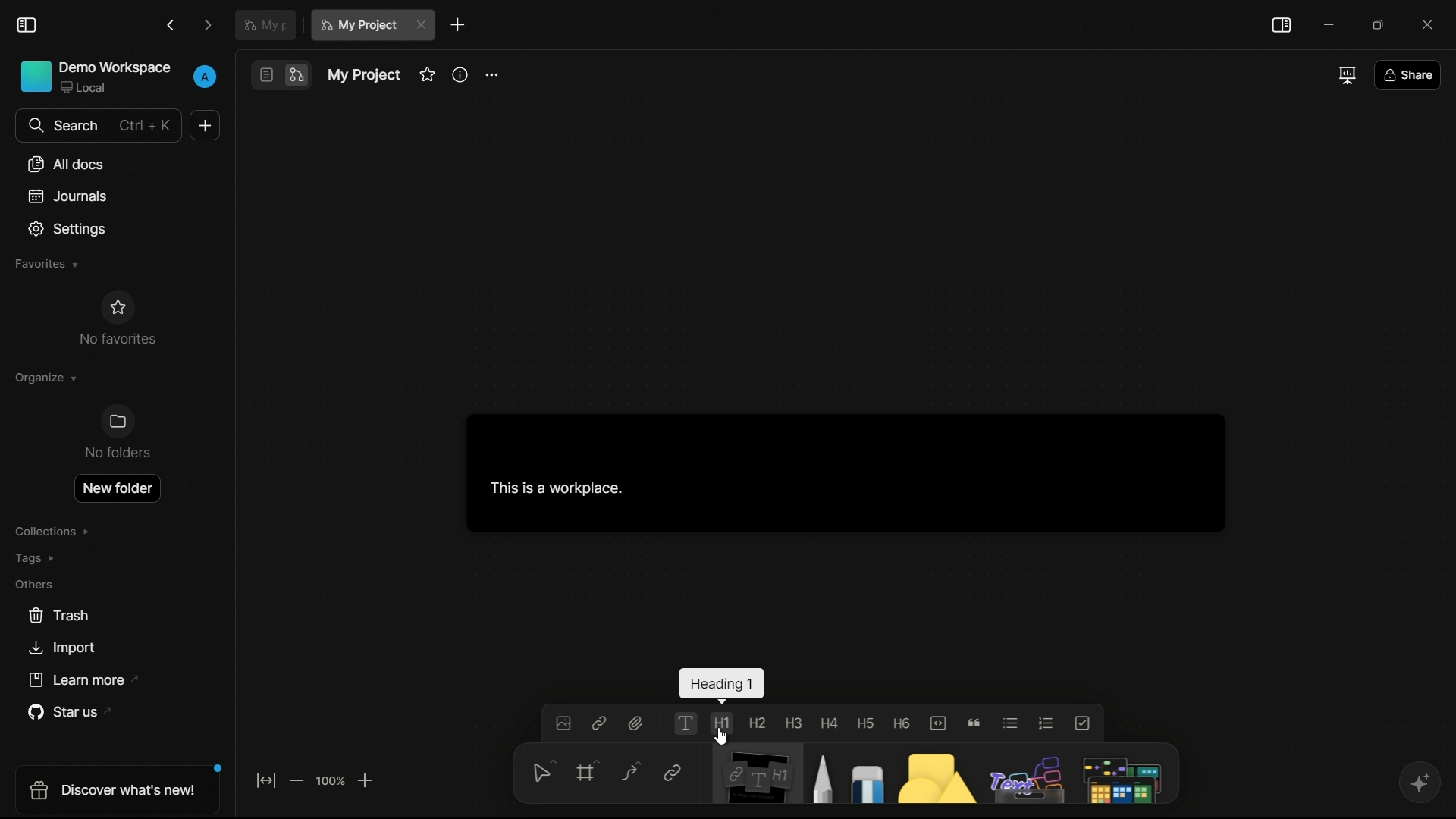  What do you see at coordinates (297, 76) in the screenshot?
I see `edgeless mode` at bounding box center [297, 76].